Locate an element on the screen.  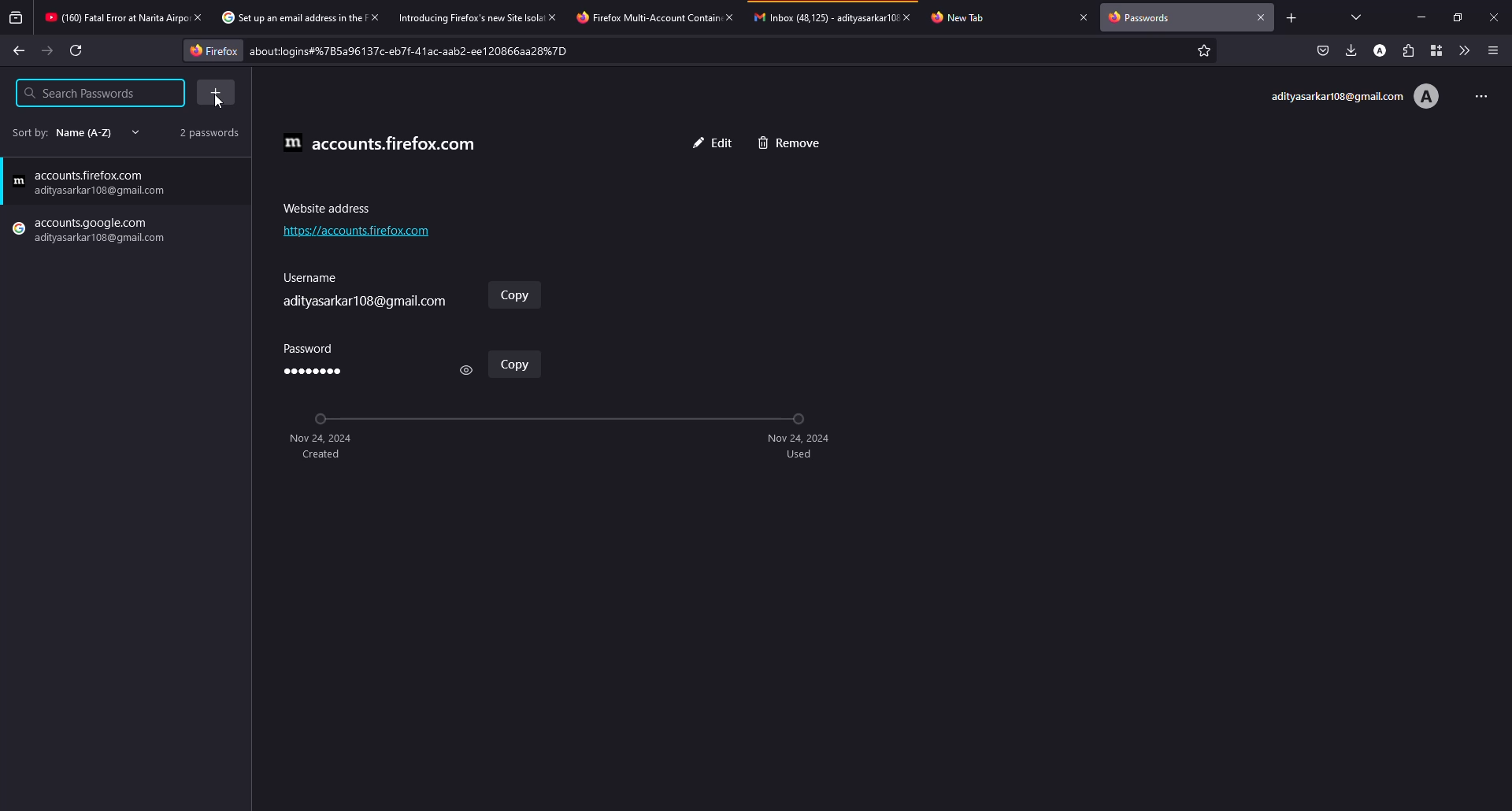
sort by name is located at coordinates (71, 132).